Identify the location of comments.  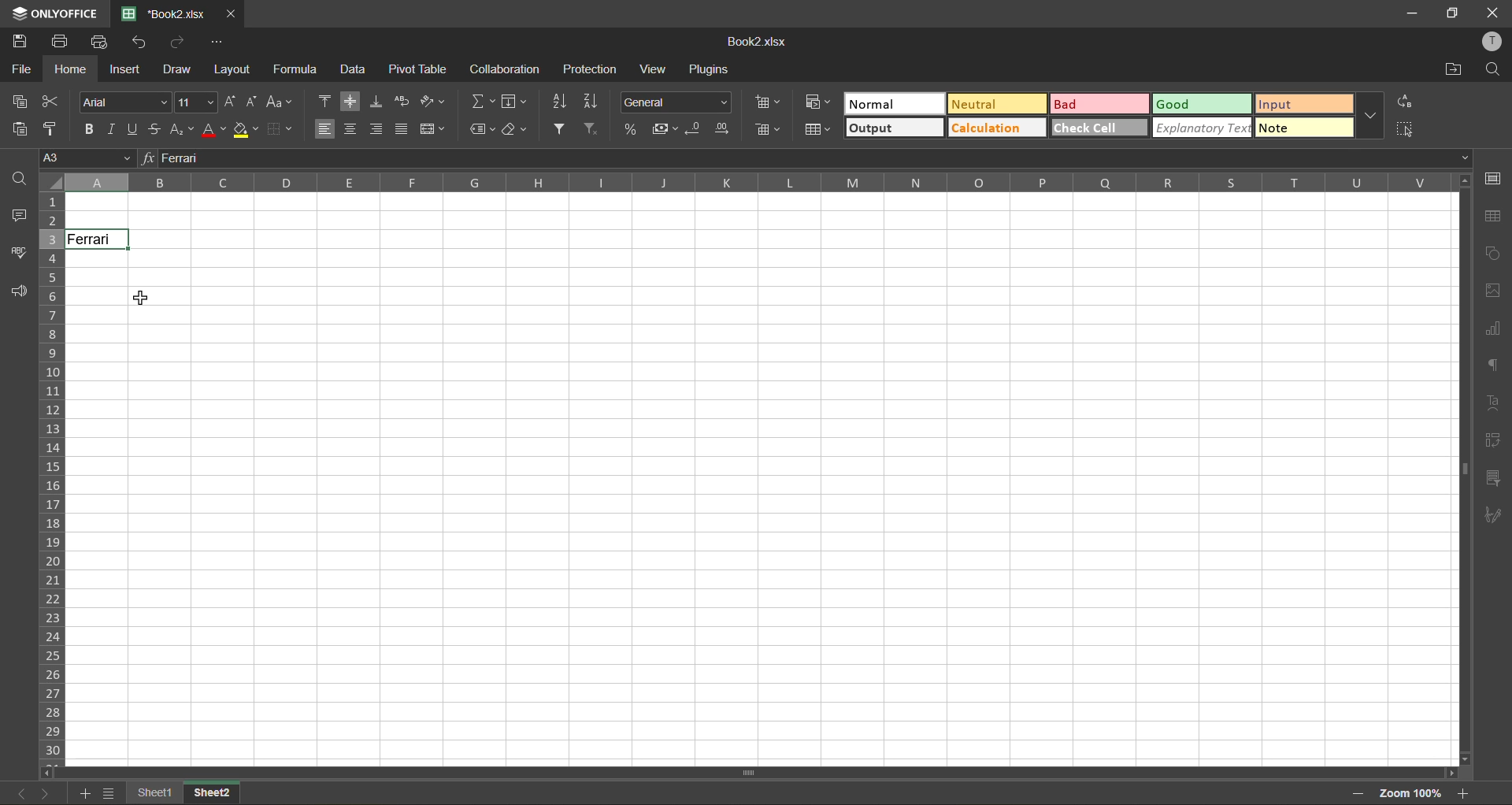
(16, 216).